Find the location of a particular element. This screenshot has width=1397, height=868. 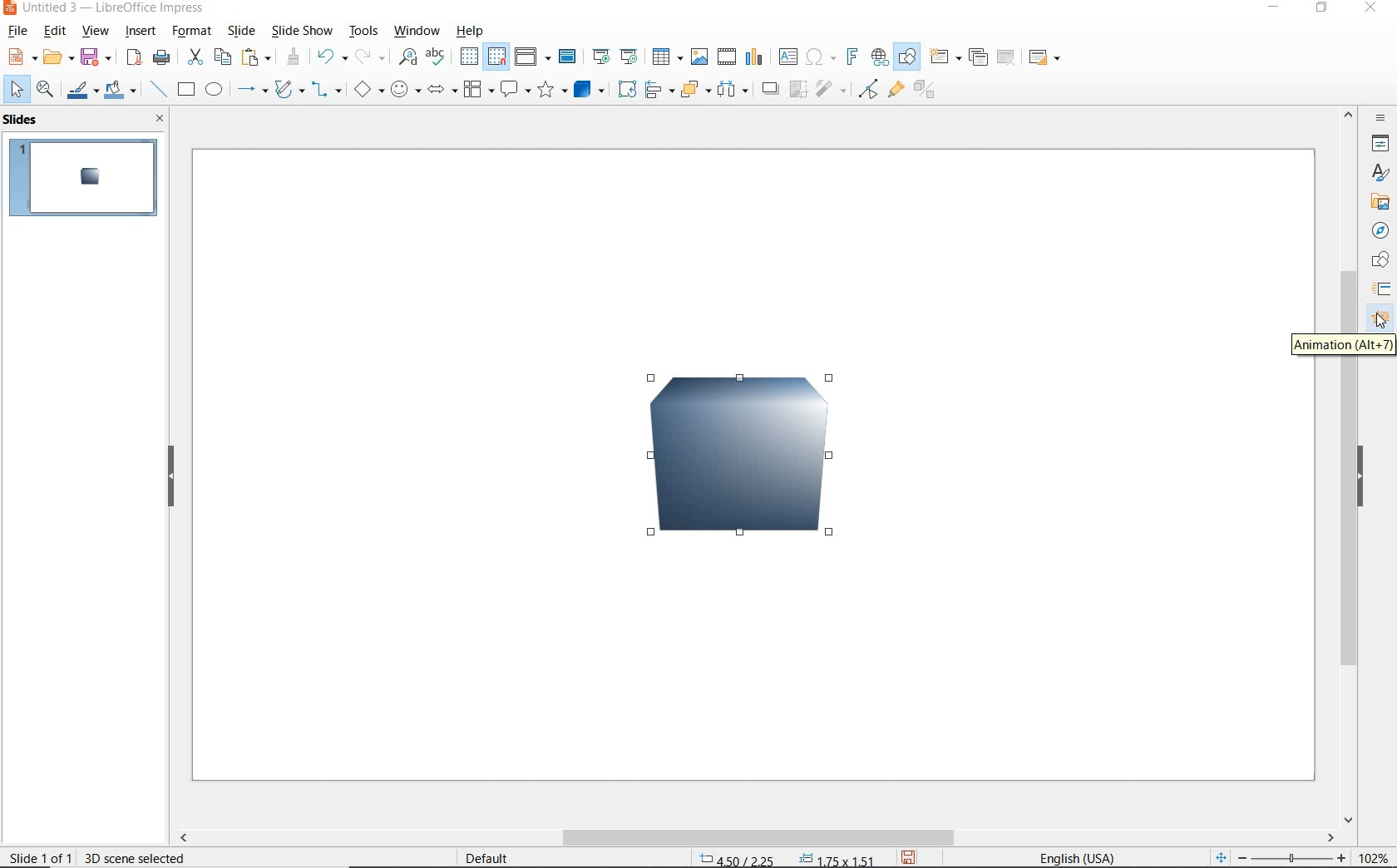

lines and arrows is located at coordinates (252, 92).